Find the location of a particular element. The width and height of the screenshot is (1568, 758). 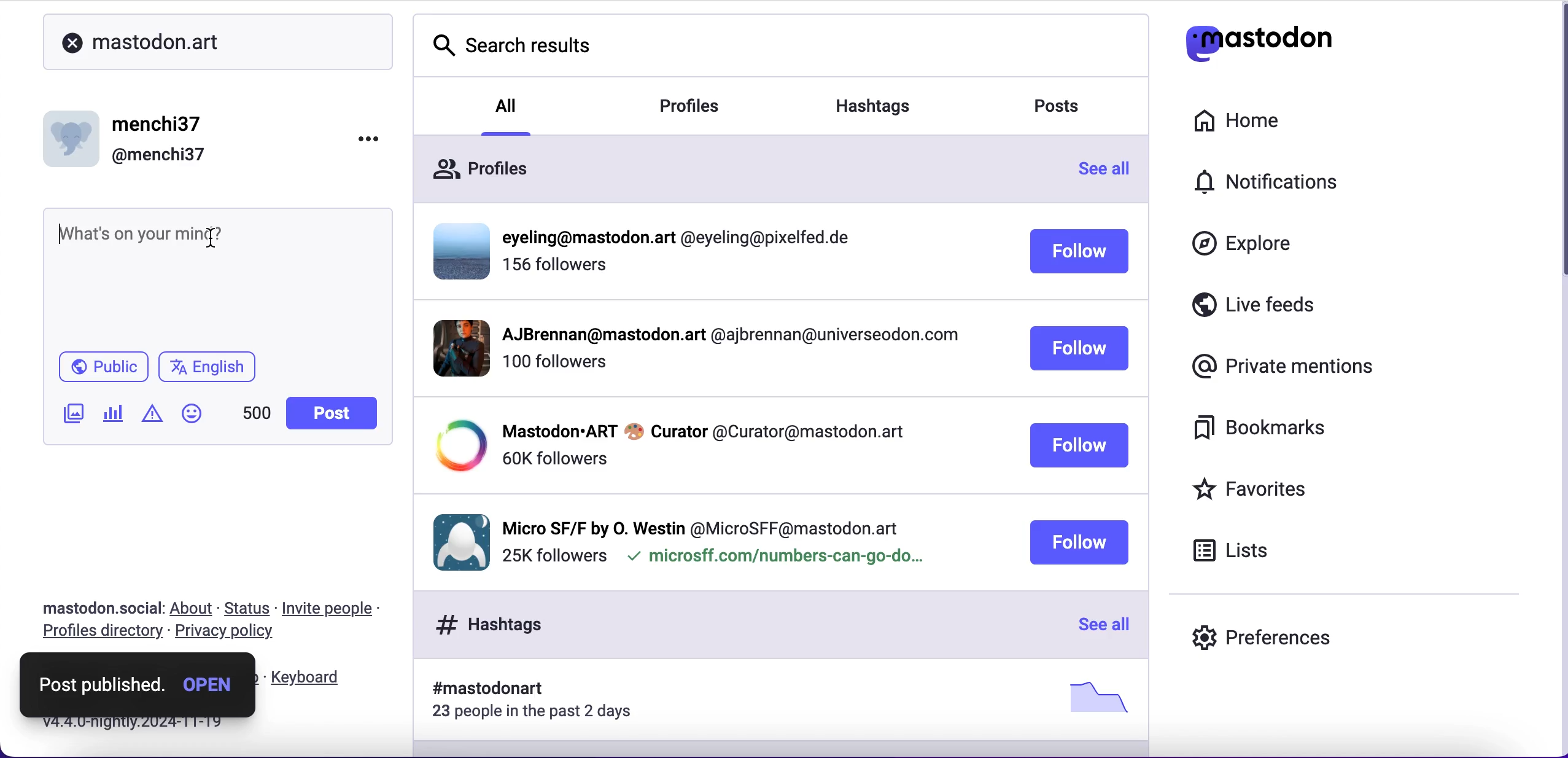

menchi37 is located at coordinates (159, 125).